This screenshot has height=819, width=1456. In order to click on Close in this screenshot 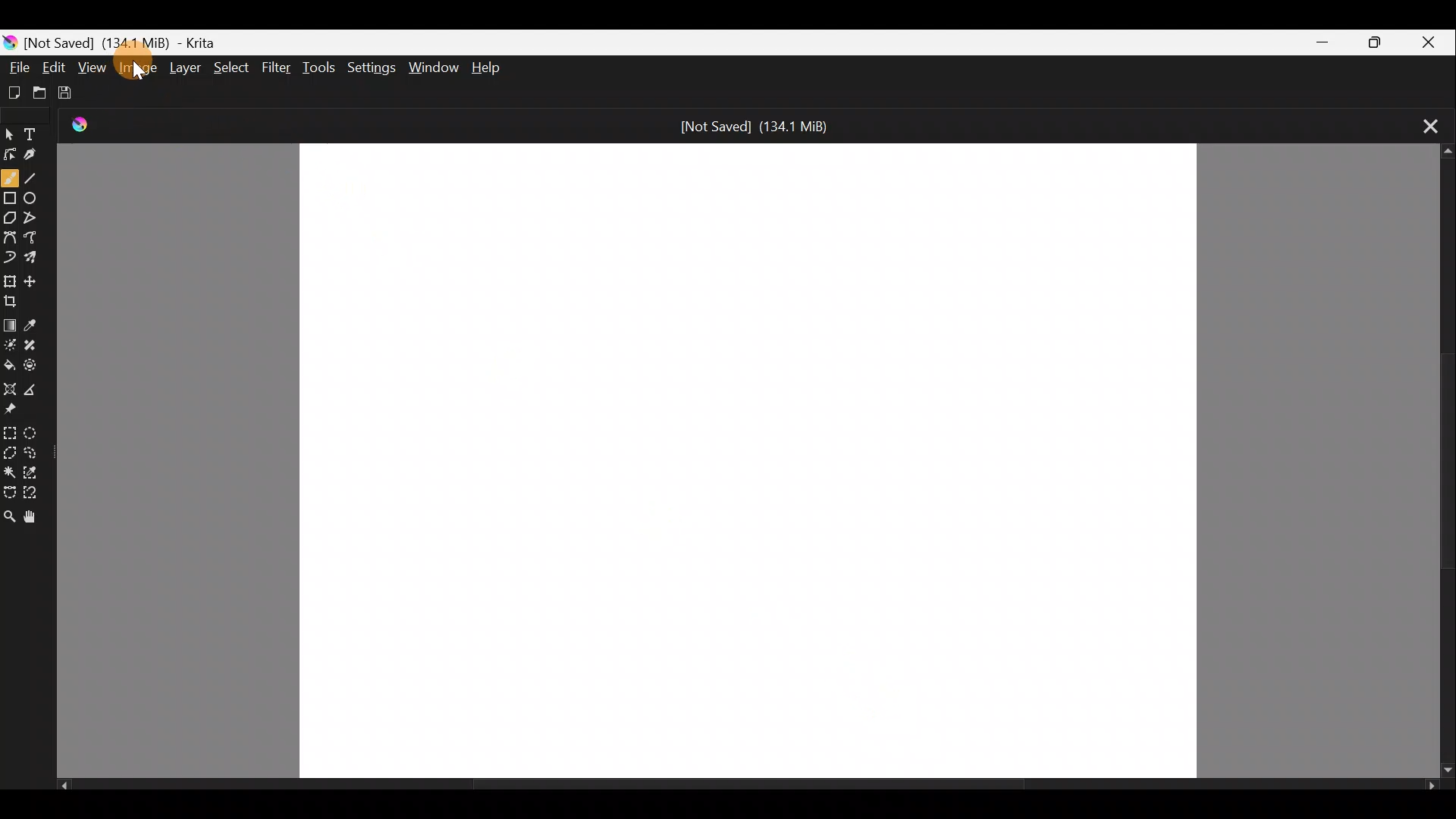, I will do `click(1428, 42)`.